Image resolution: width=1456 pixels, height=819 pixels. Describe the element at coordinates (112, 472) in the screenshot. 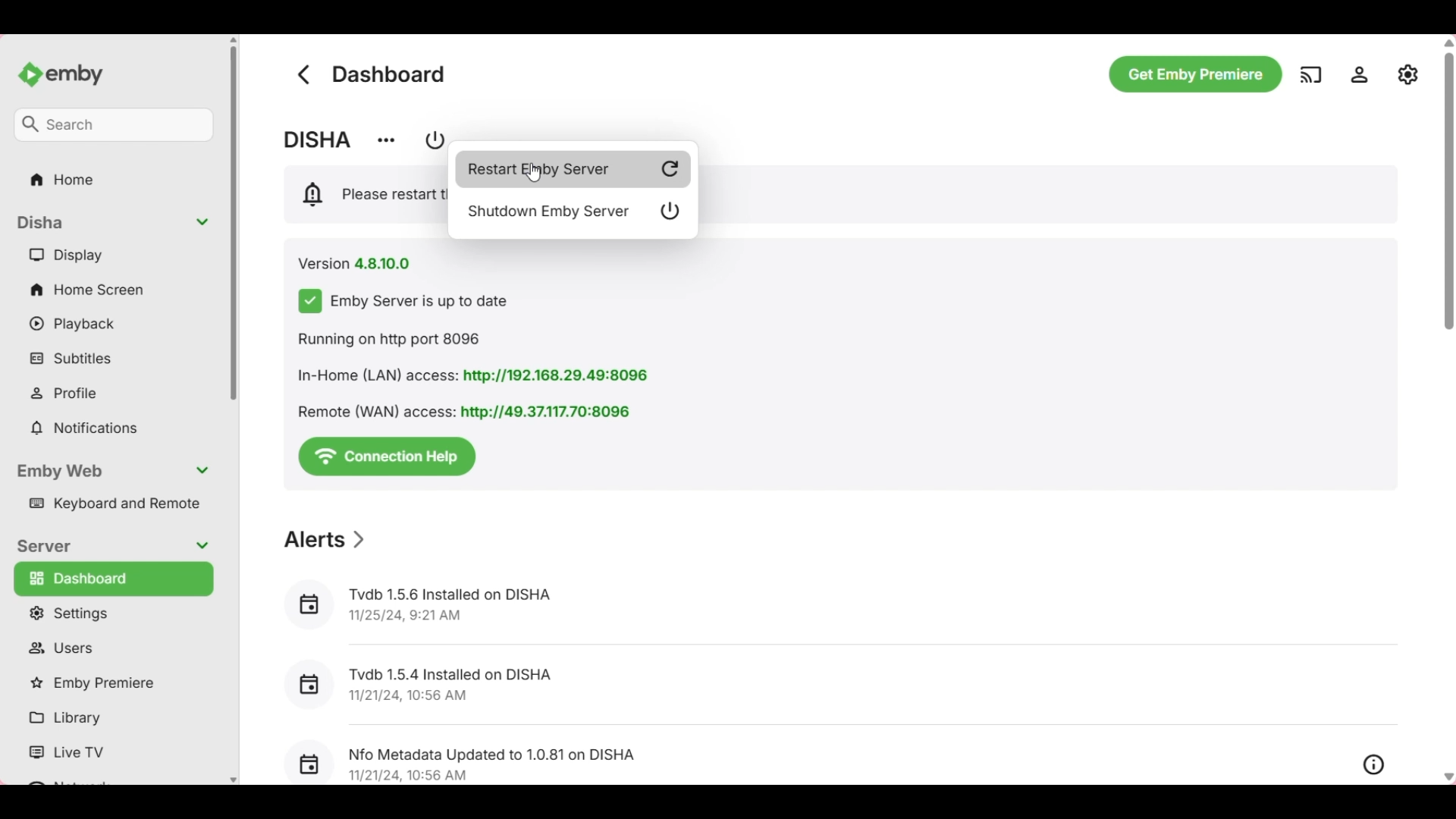

I see `Collapse Emby web` at that location.